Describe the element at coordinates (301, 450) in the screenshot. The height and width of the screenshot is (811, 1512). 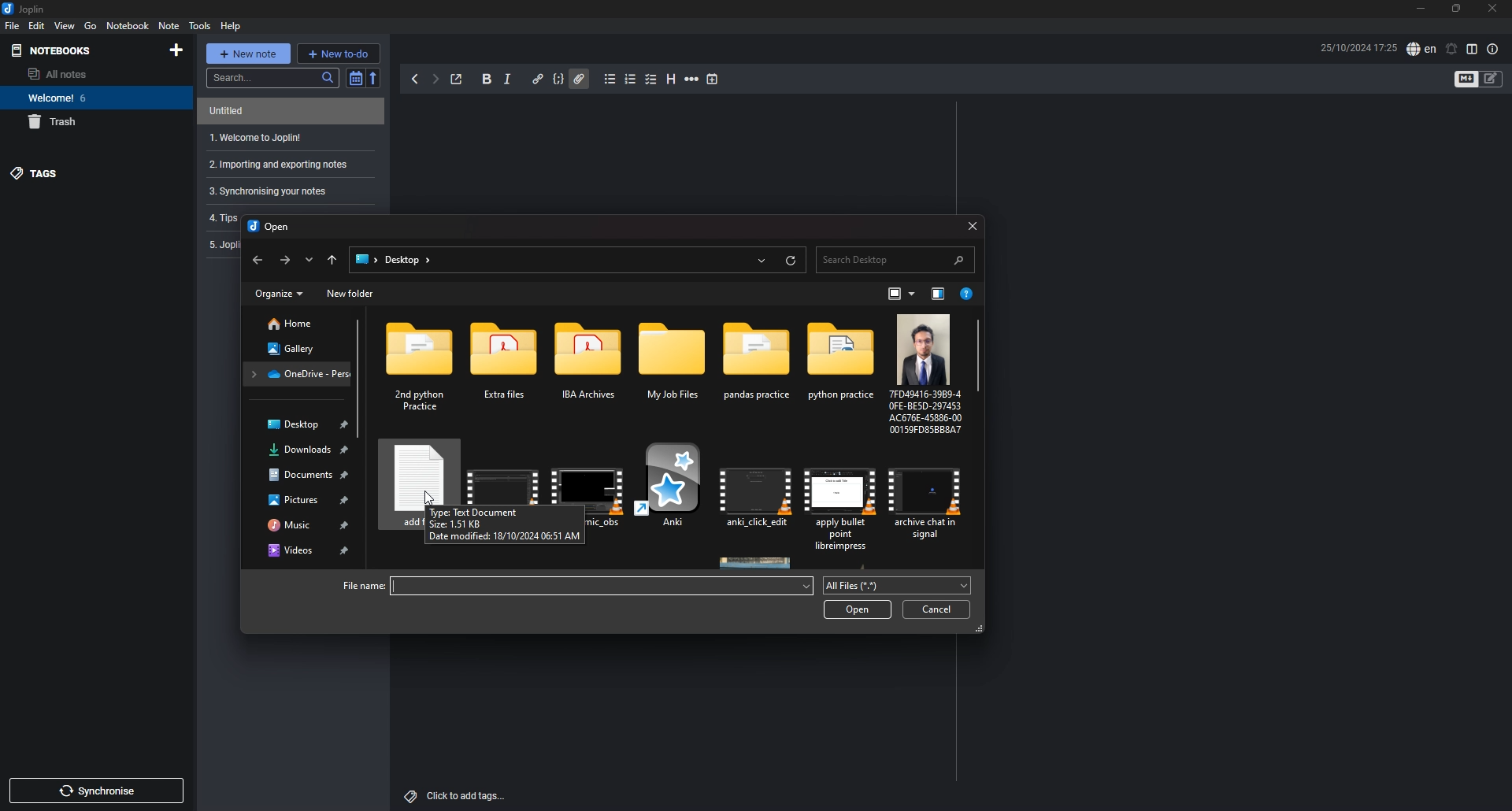
I see `downloads` at that location.